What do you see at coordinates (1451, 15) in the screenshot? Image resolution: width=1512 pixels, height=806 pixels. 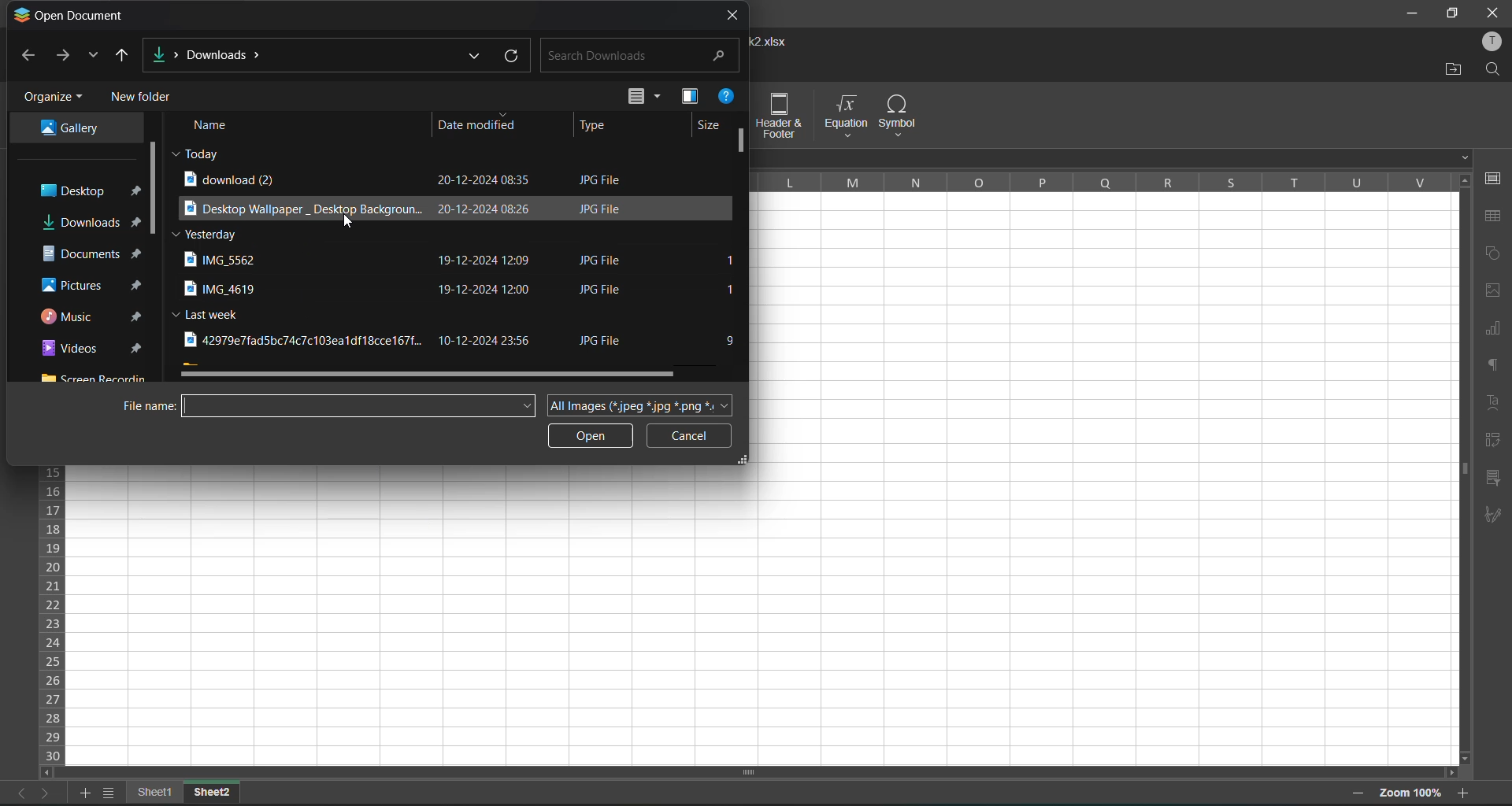 I see `maximize` at bounding box center [1451, 15].